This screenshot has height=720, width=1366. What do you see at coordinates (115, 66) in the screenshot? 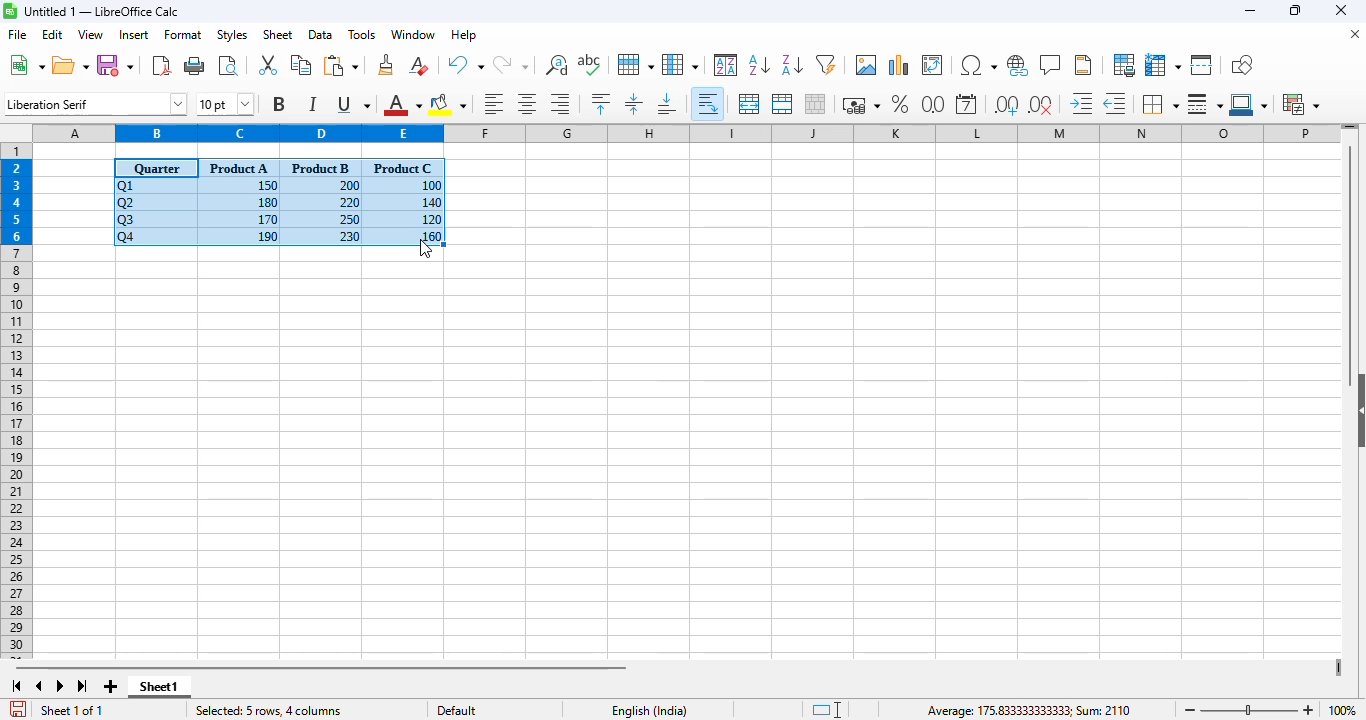
I see `save` at bounding box center [115, 66].